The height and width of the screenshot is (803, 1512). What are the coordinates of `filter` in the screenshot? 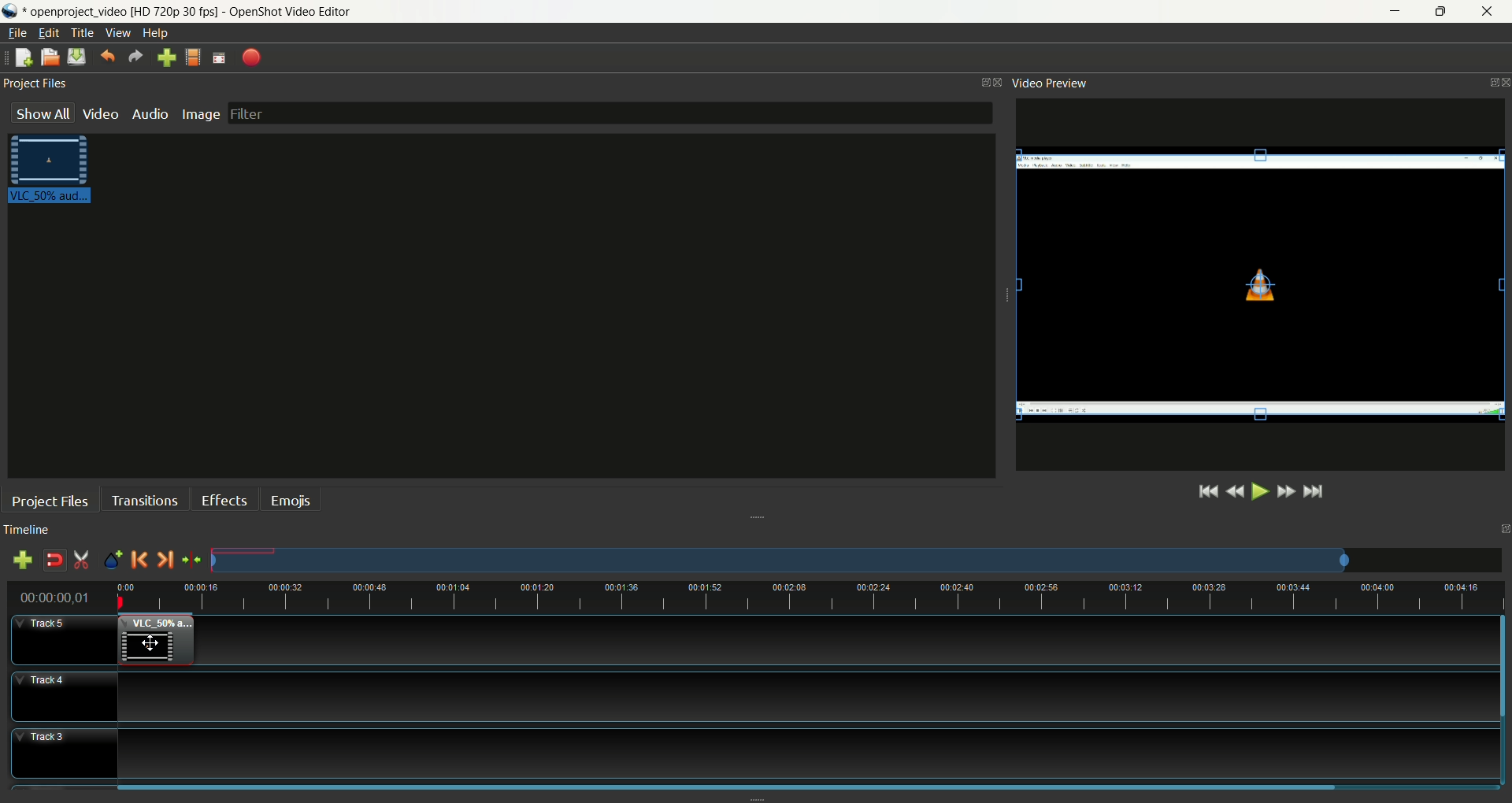 It's located at (608, 113).